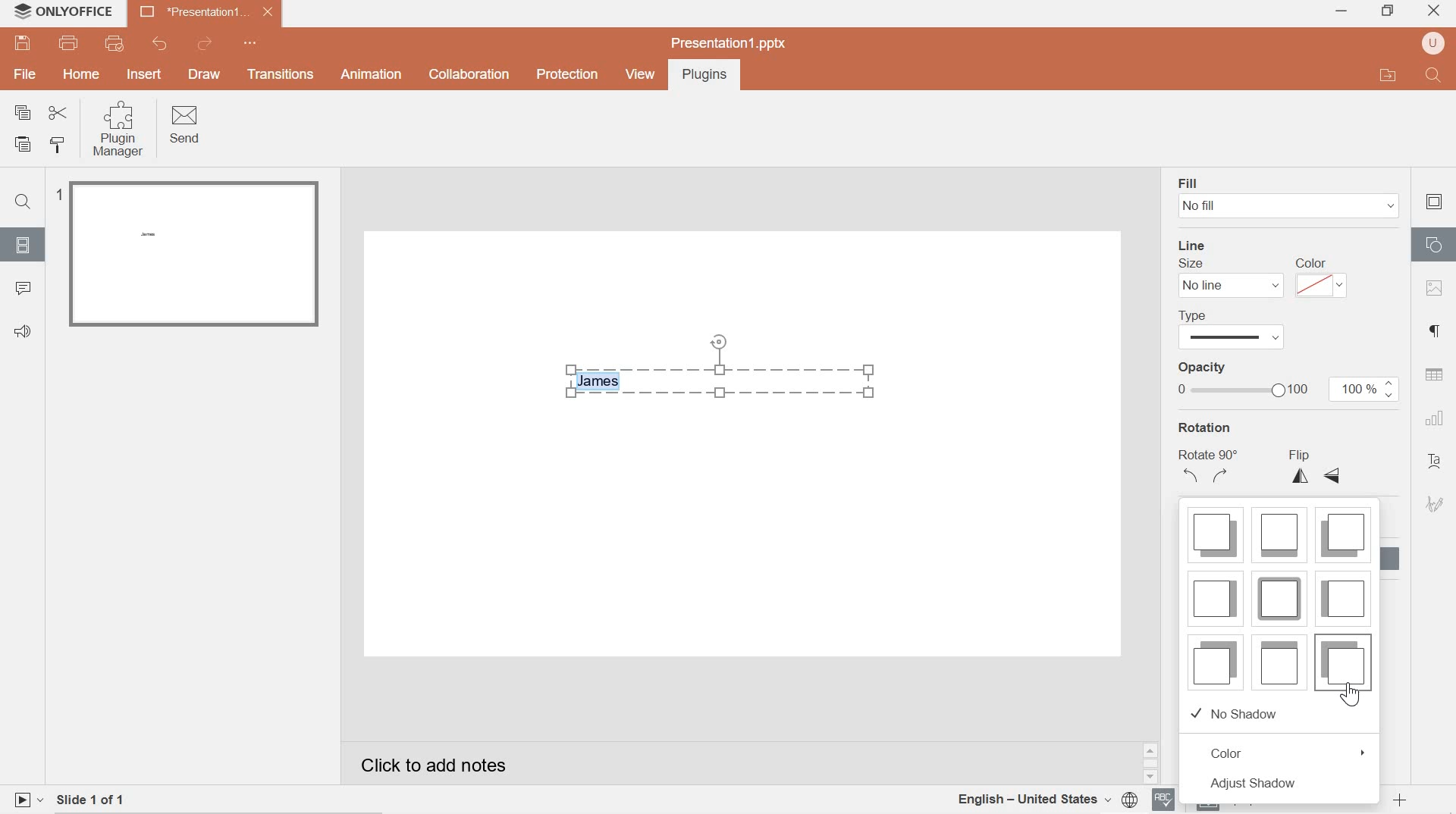  Describe the element at coordinates (1398, 800) in the screenshot. I see `zoom in` at that location.